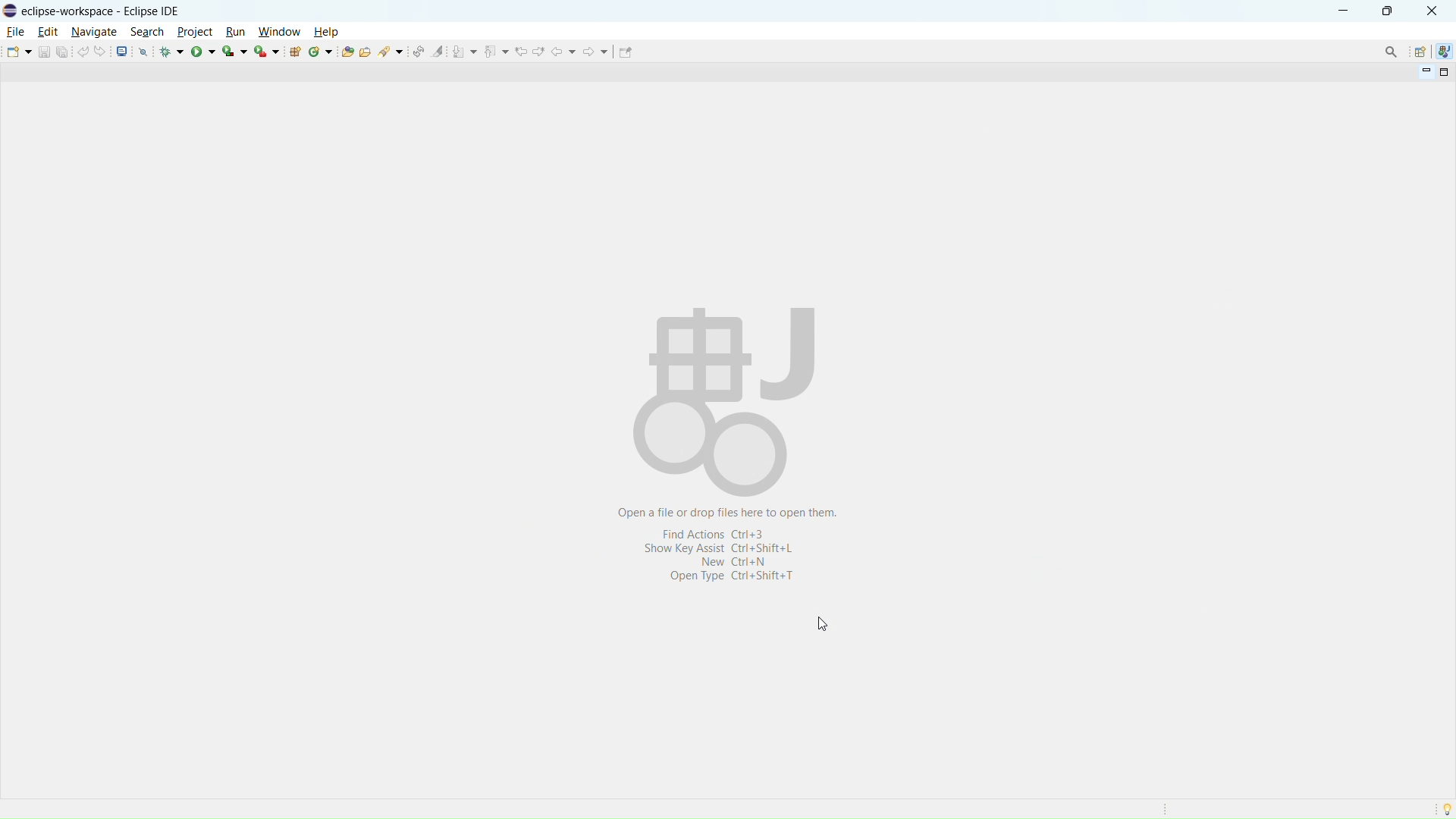 This screenshot has width=1456, height=819. What do you see at coordinates (62, 52) in the screenshot?
I see `save all` at bounding box center [62, 52].